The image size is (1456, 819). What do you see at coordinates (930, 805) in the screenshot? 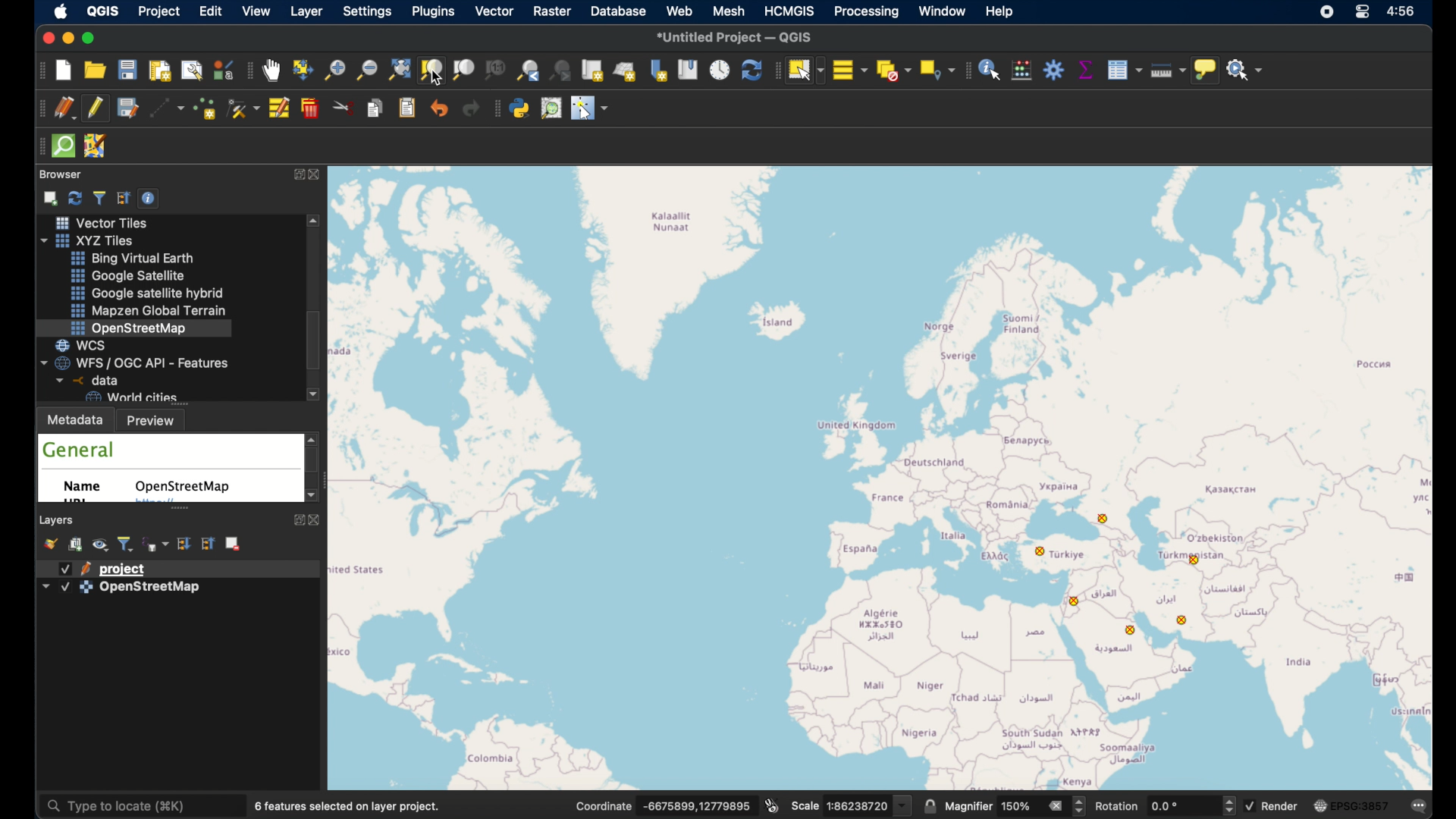
I see `lock scale` at bounding box center [930, 805].